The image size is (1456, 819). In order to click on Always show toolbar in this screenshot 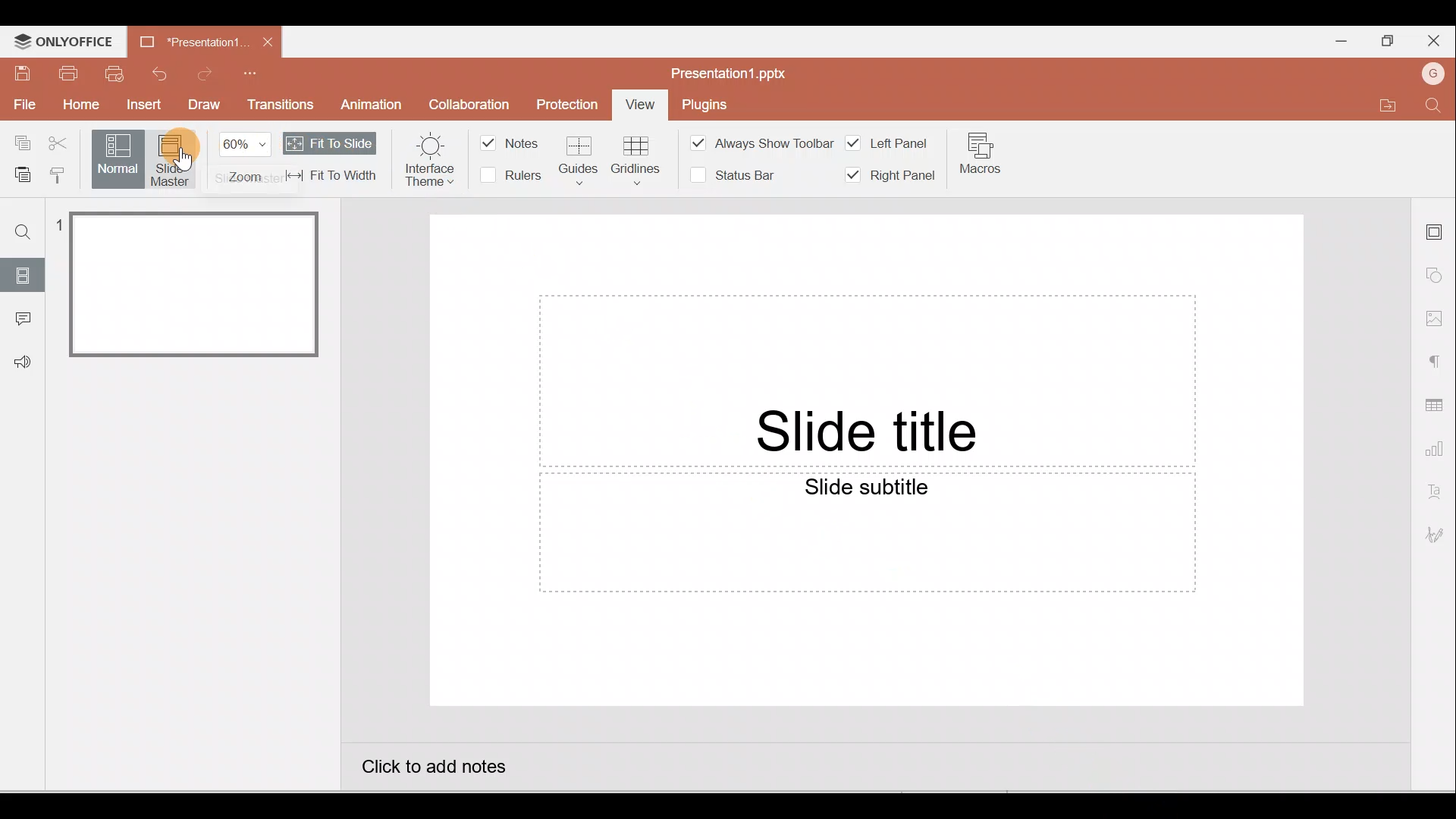, I will do `click(756, 142)`.